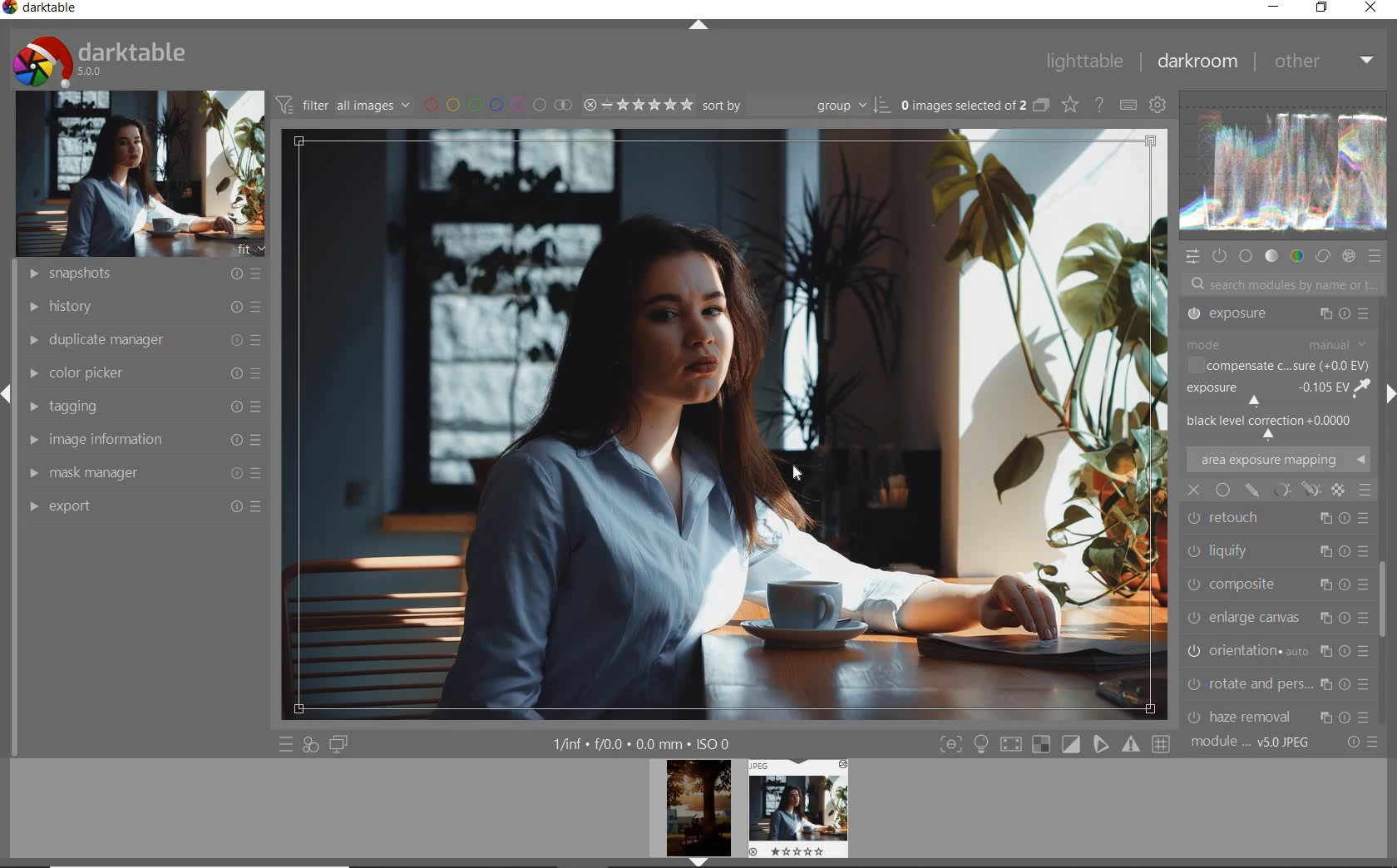 The width and height of the screenshot is (1397, 868). What do you see at coordinates (146, 370) in the screenshot?
I see `COLOR PICKER` at bounding box center [146, 370].